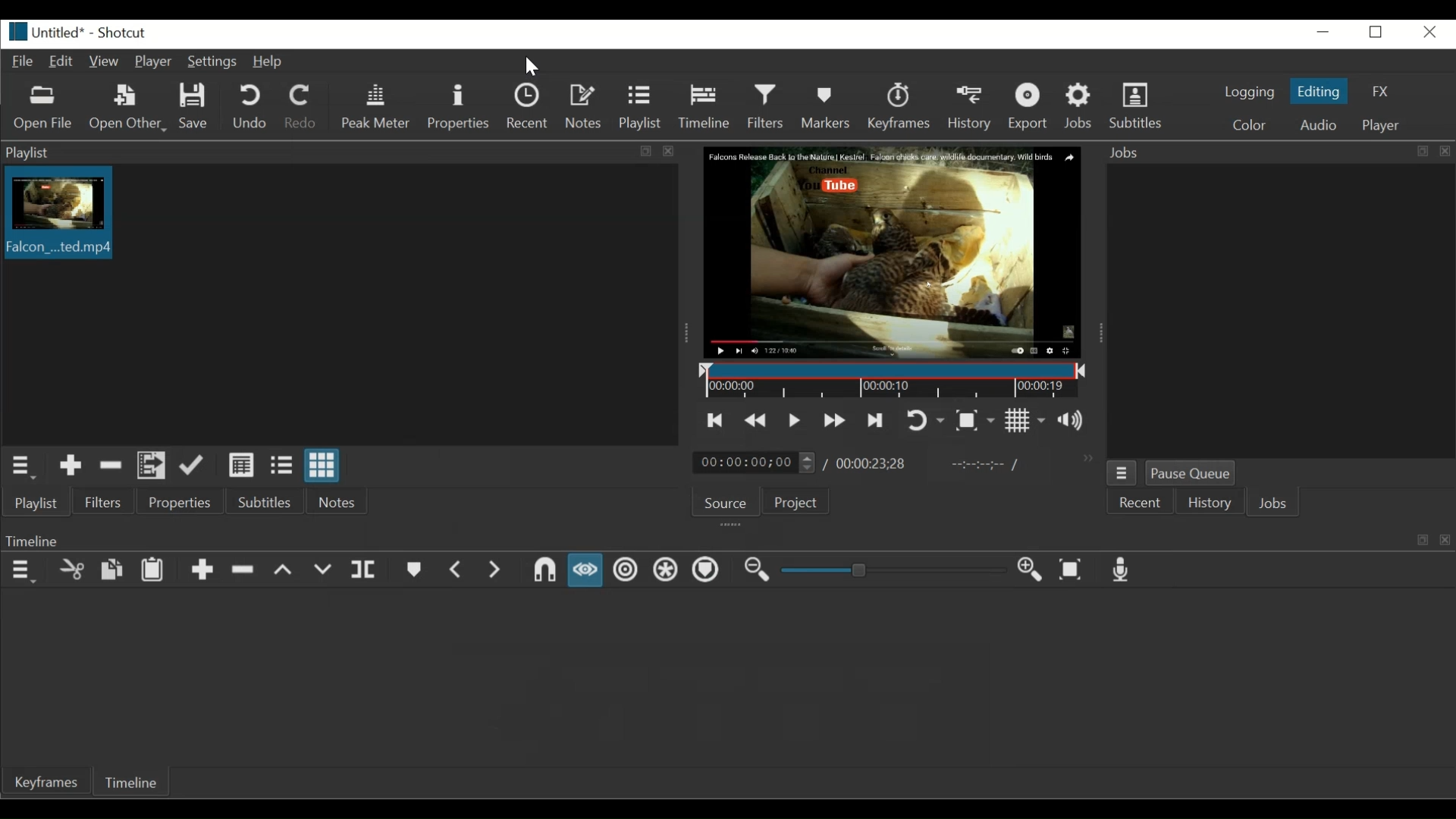  What do you see at coordinates (199, 568) in the screenshot?
I see `Append` at bounding box center [199, 568].